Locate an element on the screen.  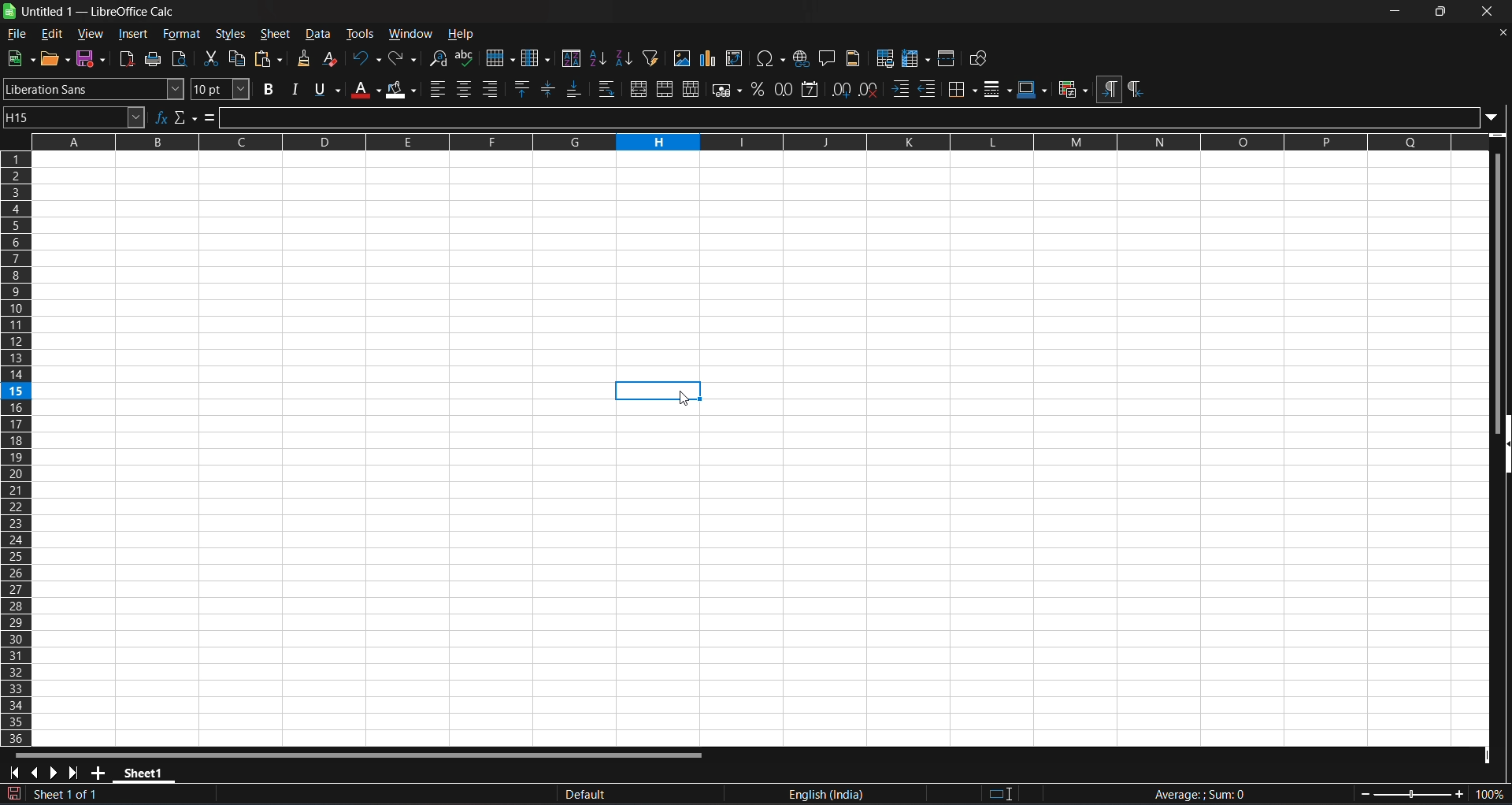
border colors is located at coordinates (1031, 89).